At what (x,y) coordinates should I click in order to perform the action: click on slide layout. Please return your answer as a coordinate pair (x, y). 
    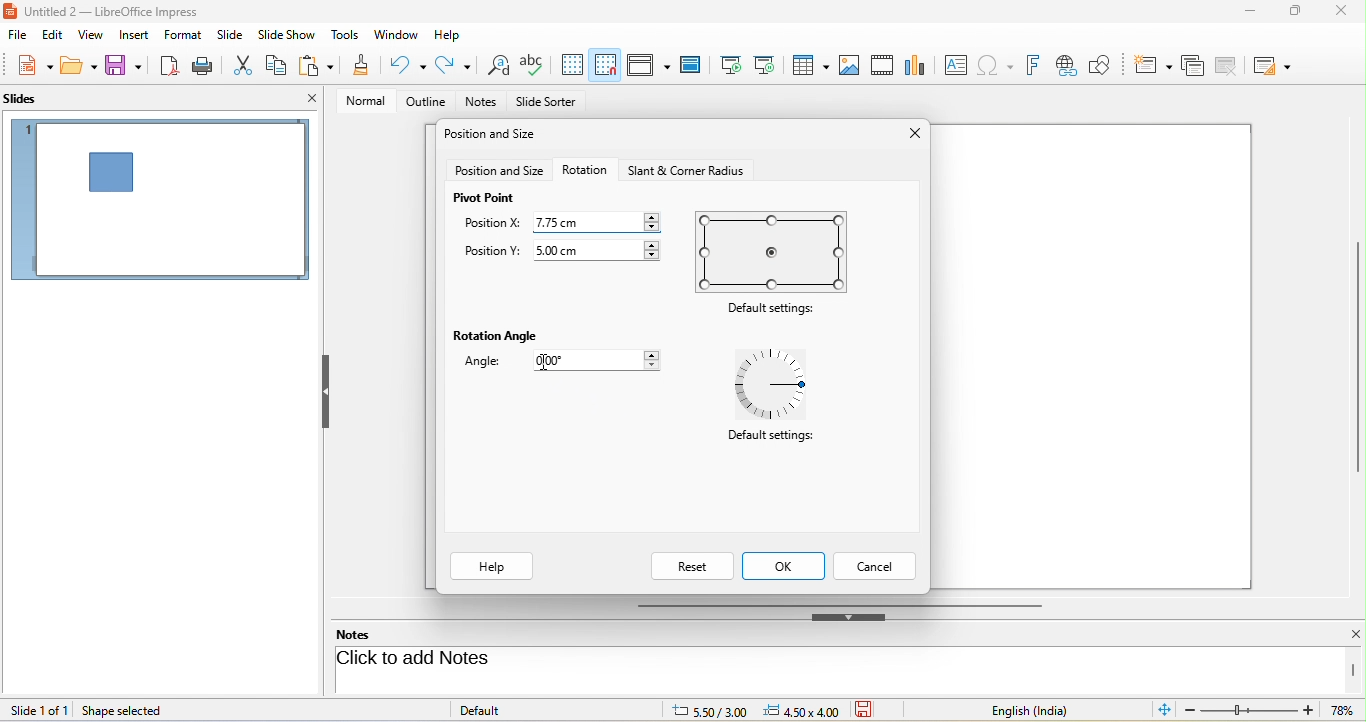
    Looking at the image, I should click on (1277, 64).